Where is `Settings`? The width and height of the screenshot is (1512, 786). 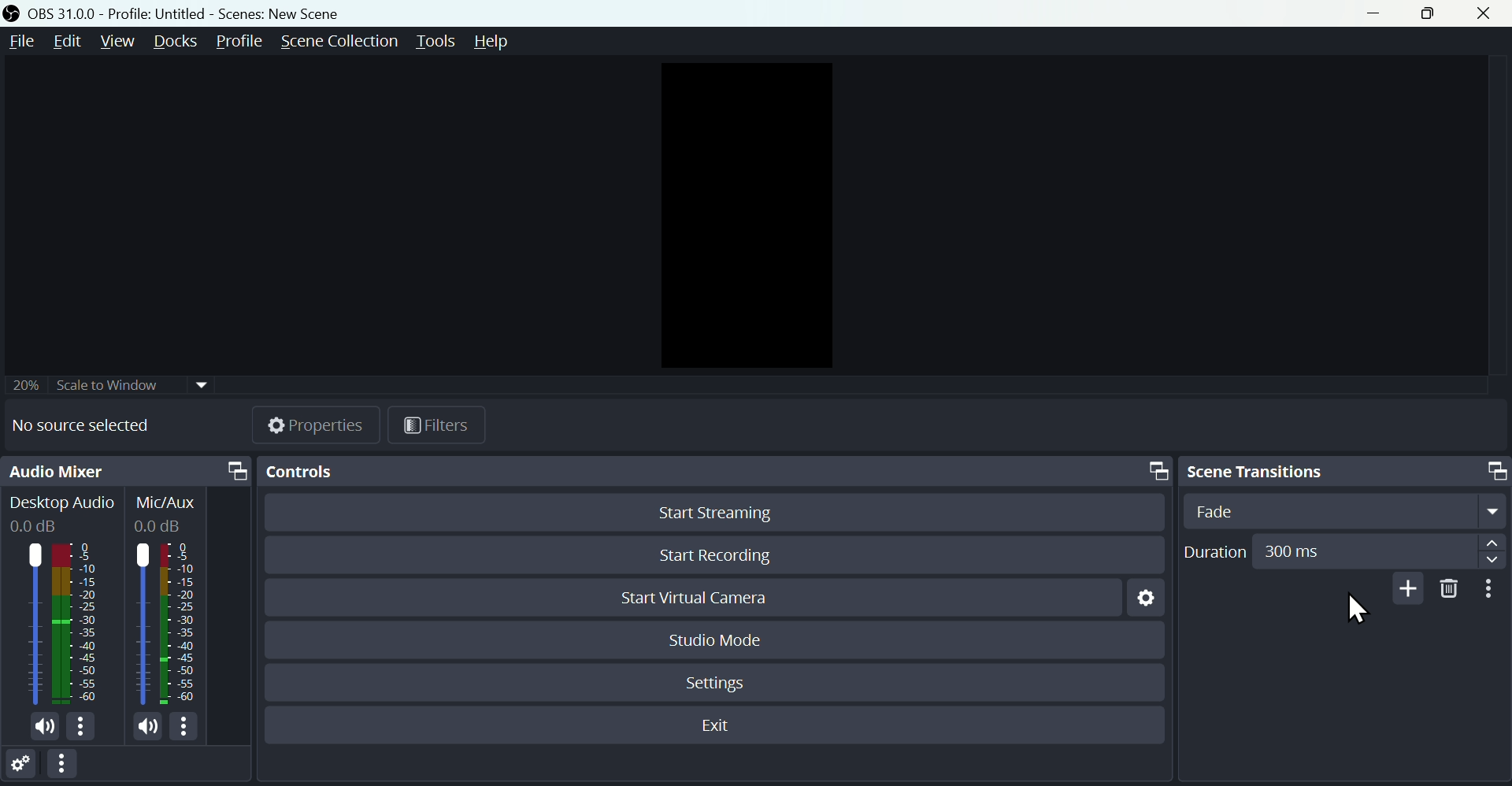
Settings is located at coordinates (20, 767).